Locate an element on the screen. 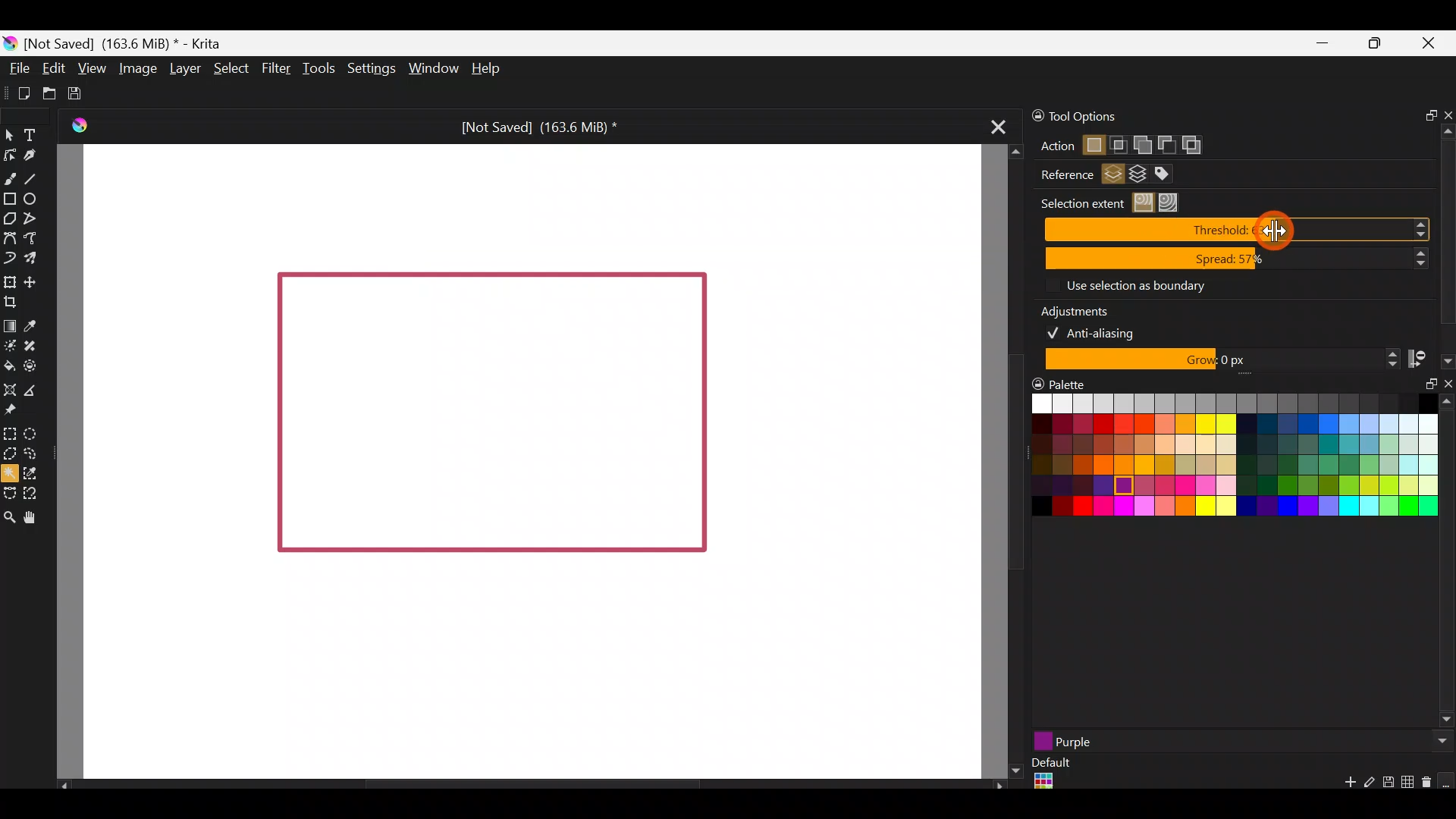 This screenshot has width=1456, height=819. Lock the current palette is located at coordinates (1447, 781).